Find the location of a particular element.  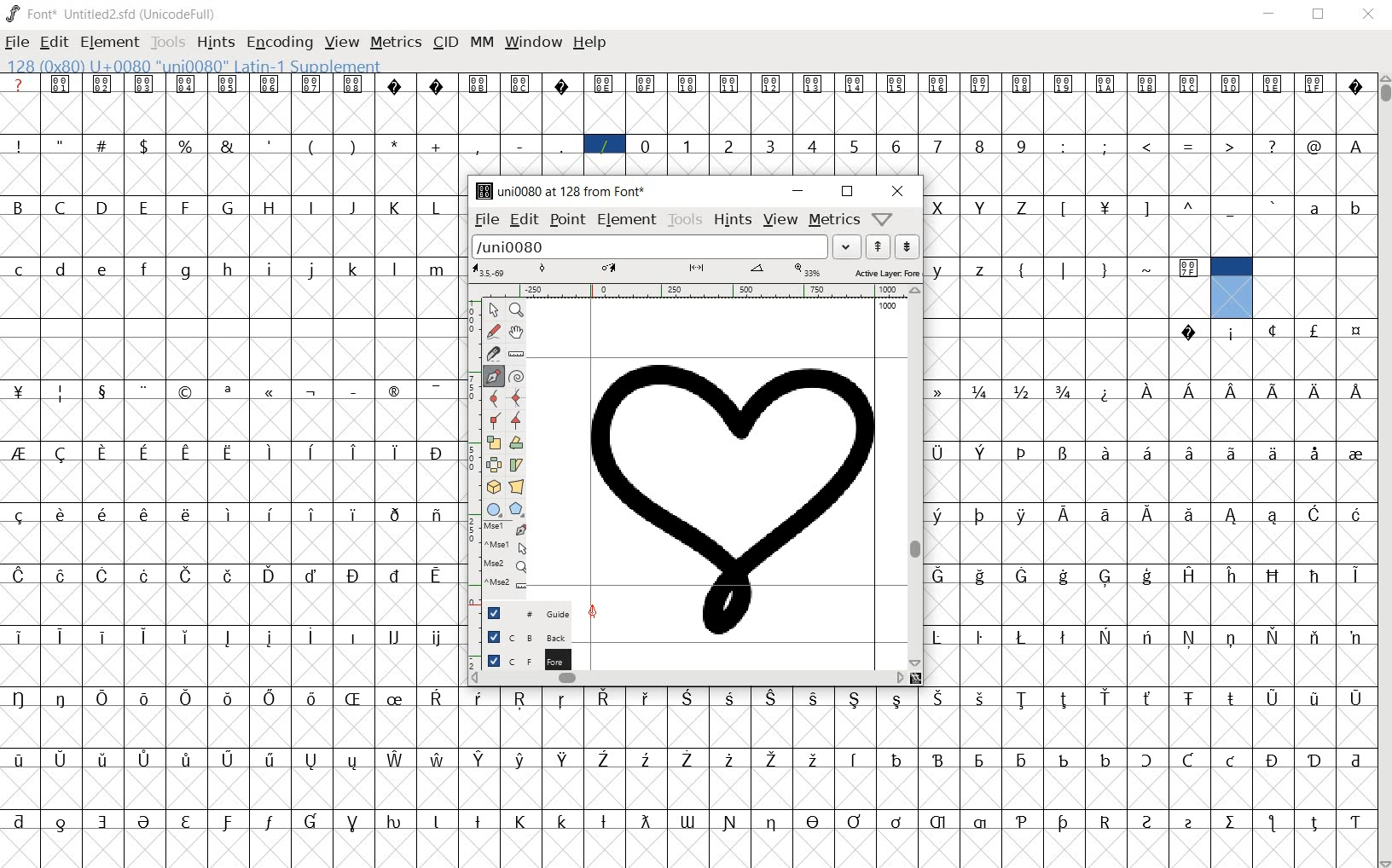

glyph is located at coordinates (185, 207).